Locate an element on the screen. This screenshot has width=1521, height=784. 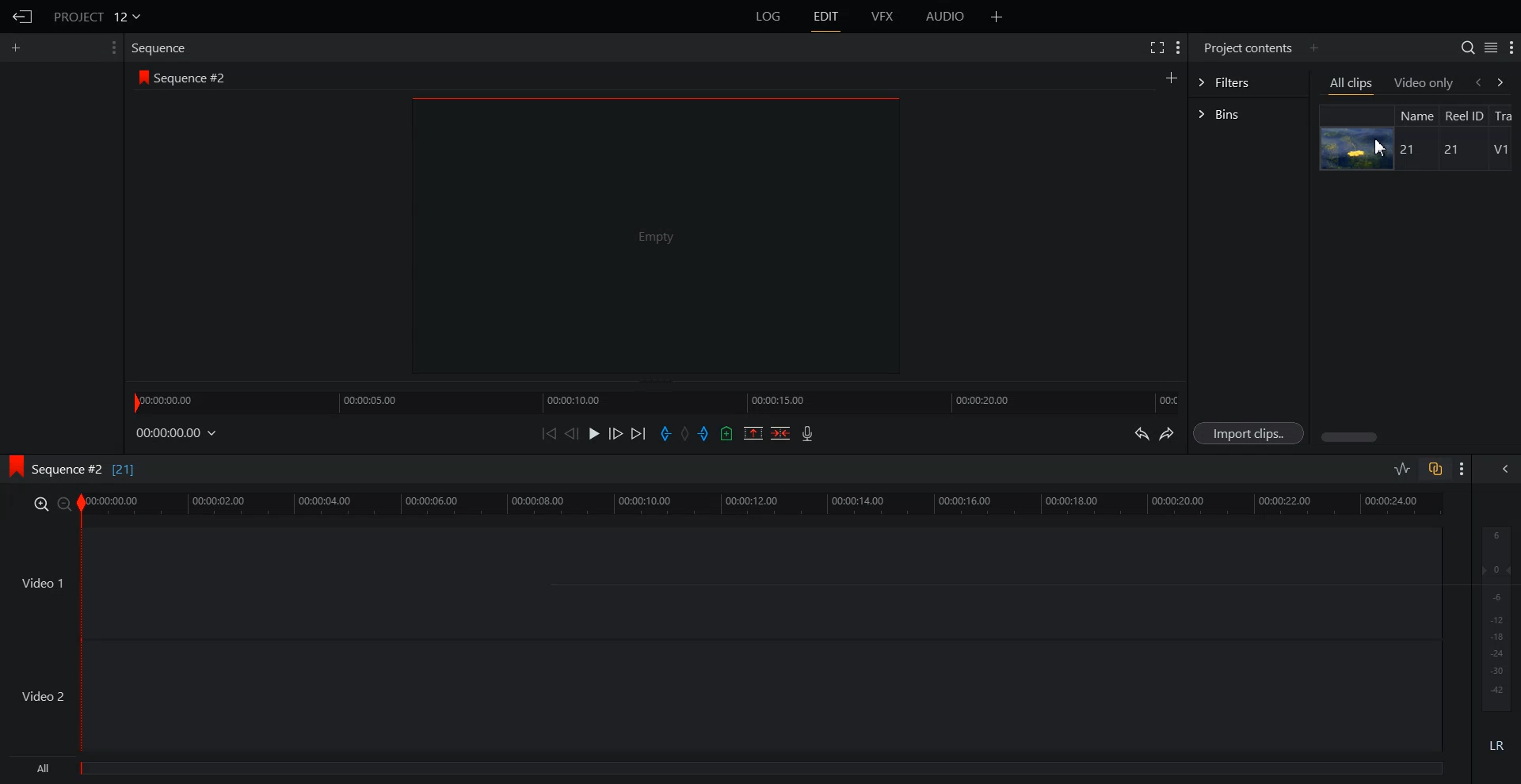
Go Back is located at coordinates (21, 17).